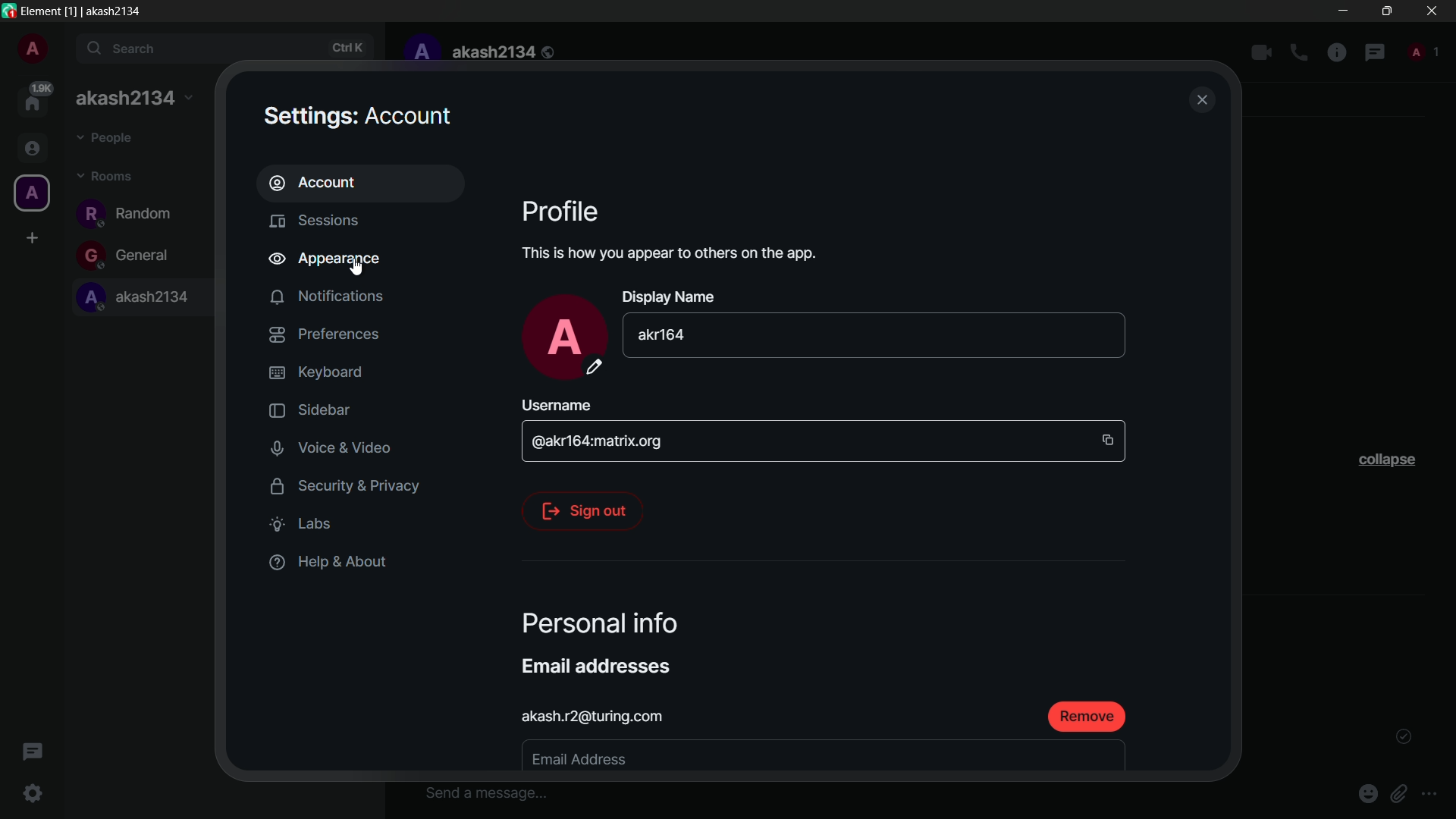  What do you see at coordinates (315, 220) in the screenshot?
I see `sessions` at bounding box center [315, 220].